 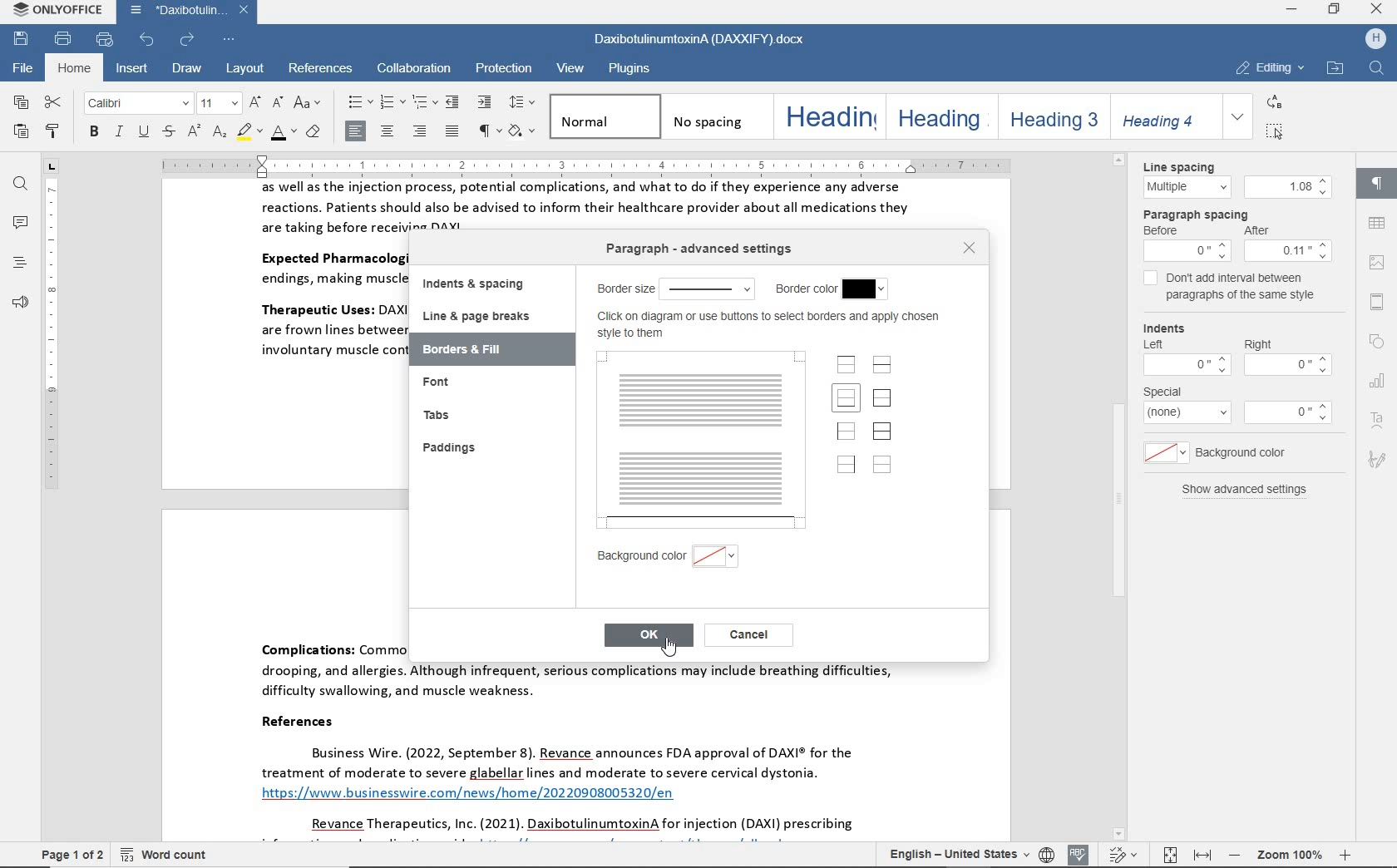 What do you see at coordinates (697, 41) in the screenshot?
I see `document name` at bounding box center [697, 41].